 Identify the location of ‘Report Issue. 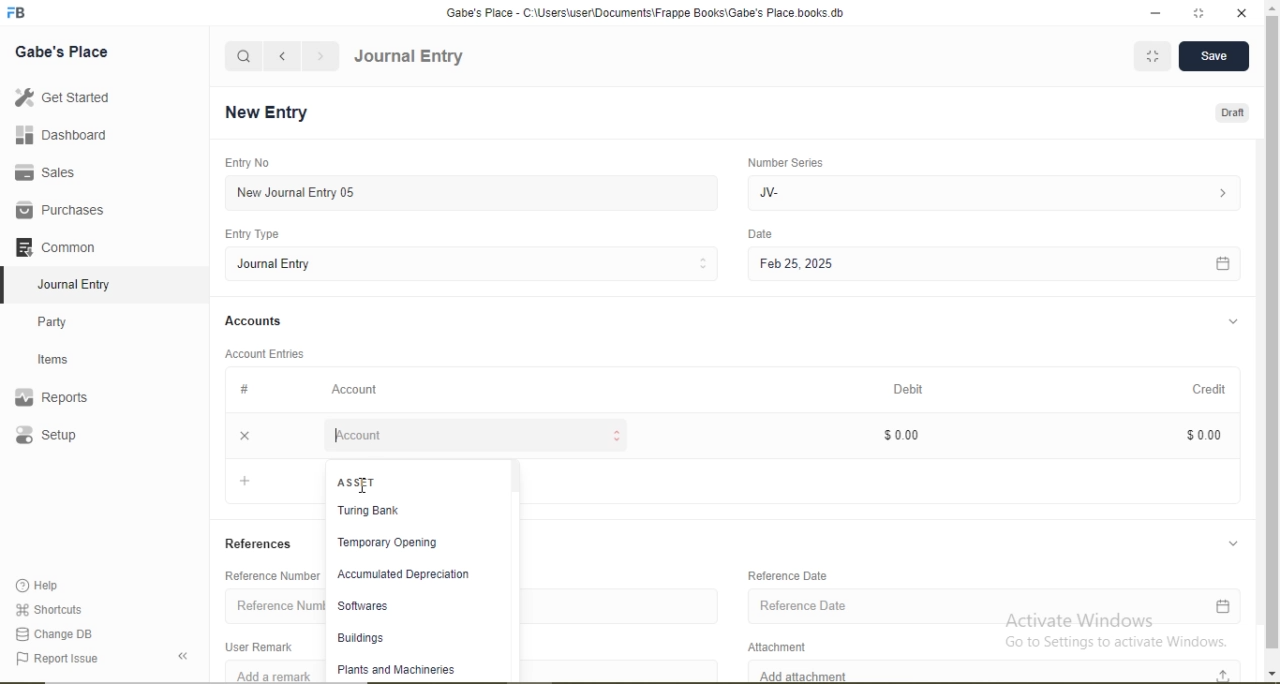
(78, 659).